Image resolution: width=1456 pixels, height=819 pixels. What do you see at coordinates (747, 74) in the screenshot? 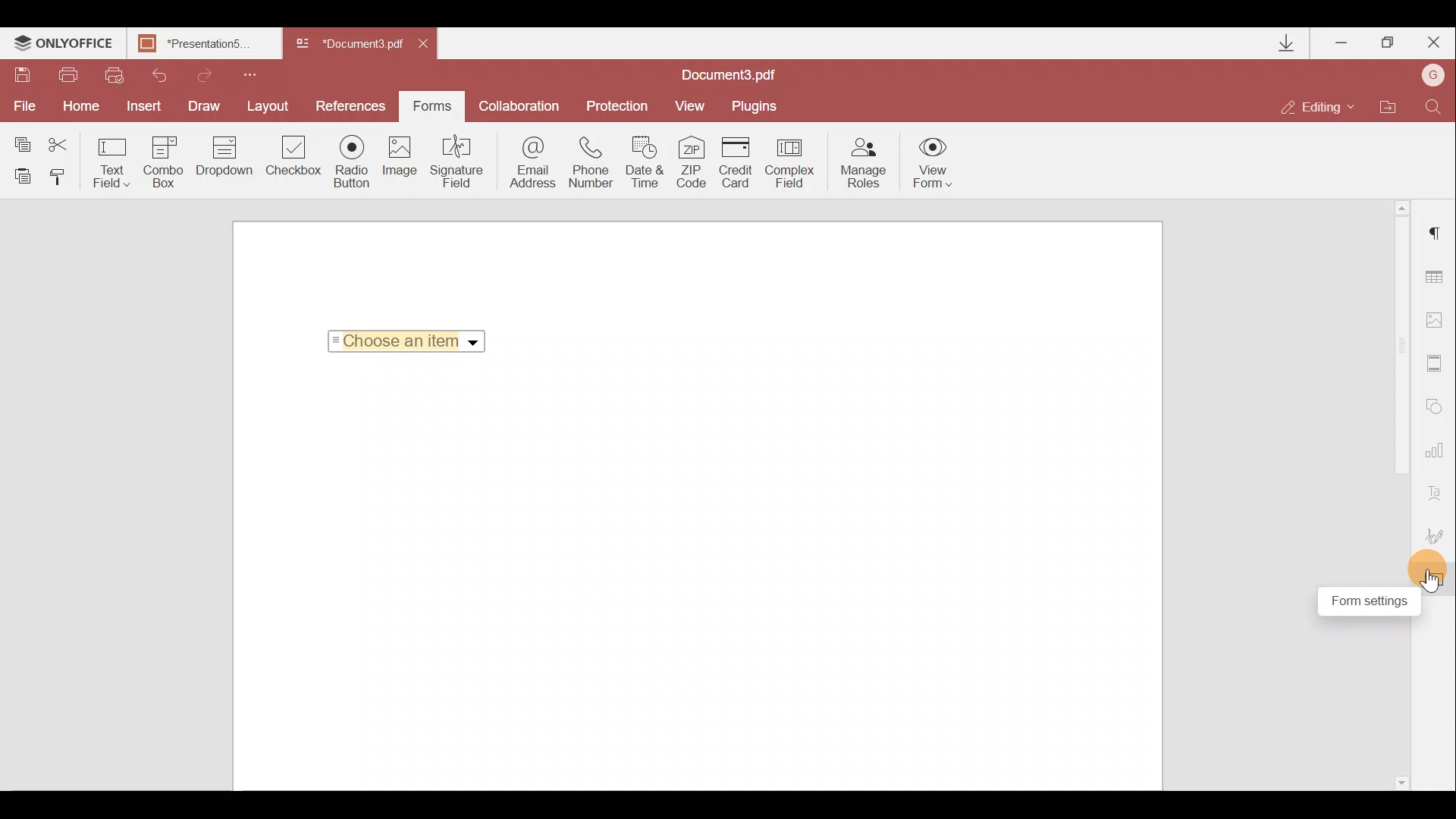
I see `Document3.pdf` at bounding box center [747, 74].